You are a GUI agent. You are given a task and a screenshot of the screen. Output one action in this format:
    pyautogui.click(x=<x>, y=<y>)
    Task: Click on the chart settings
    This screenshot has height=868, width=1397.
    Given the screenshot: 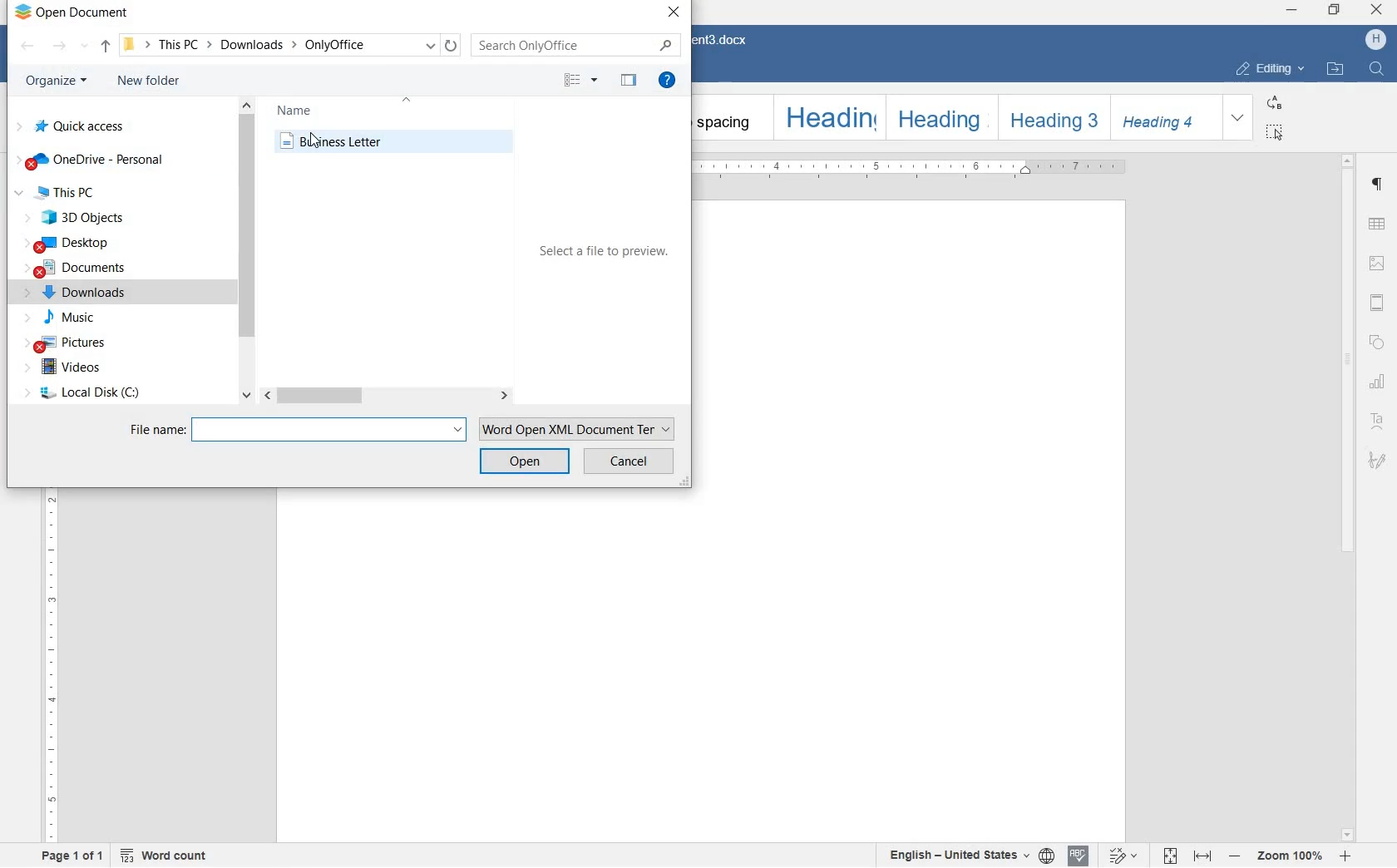 What is the action you would take?
    pyautogui.click(x=1377, y=382)
    